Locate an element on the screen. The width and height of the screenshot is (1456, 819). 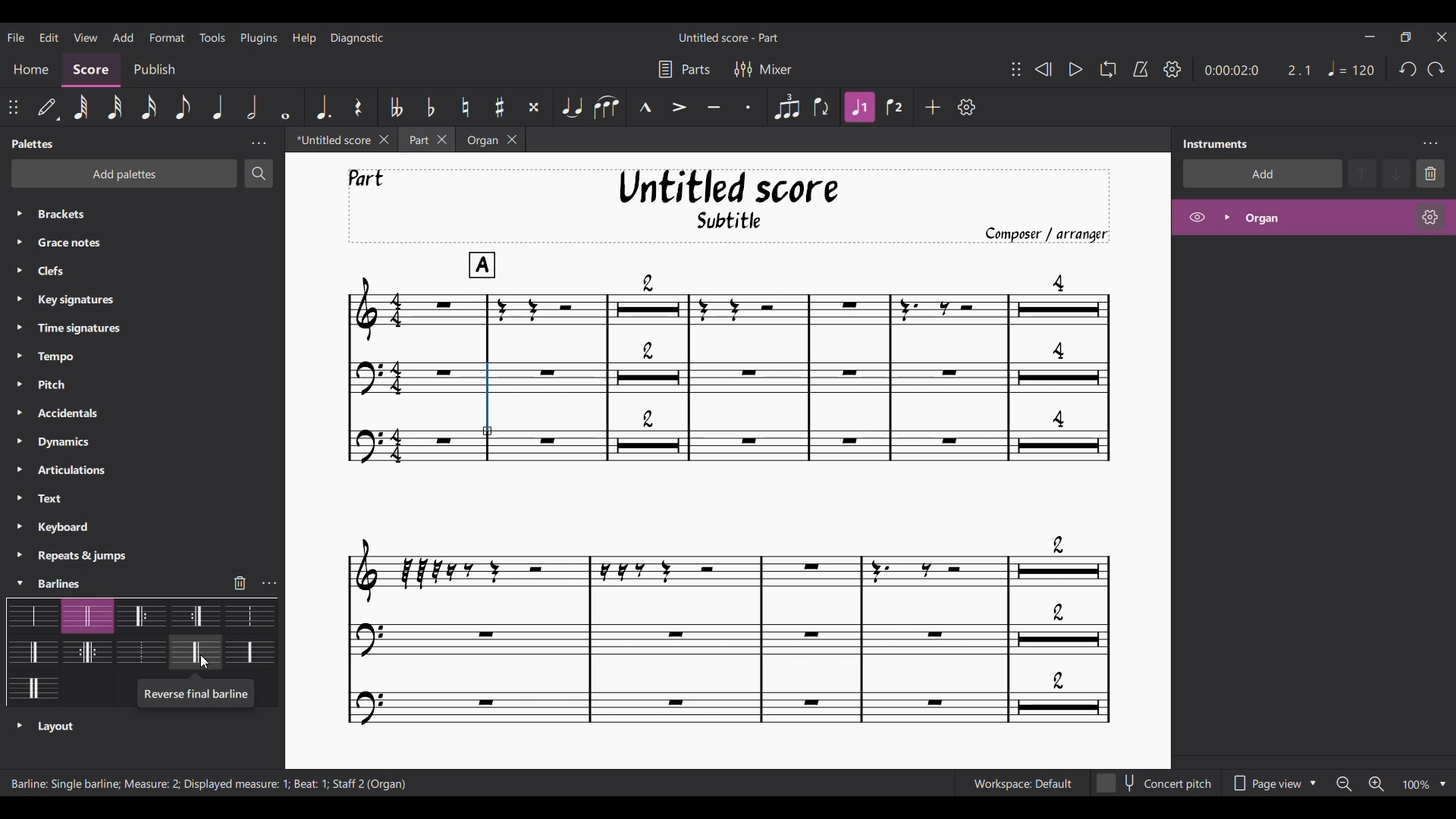
Slur is located at coordinates (607, 107).